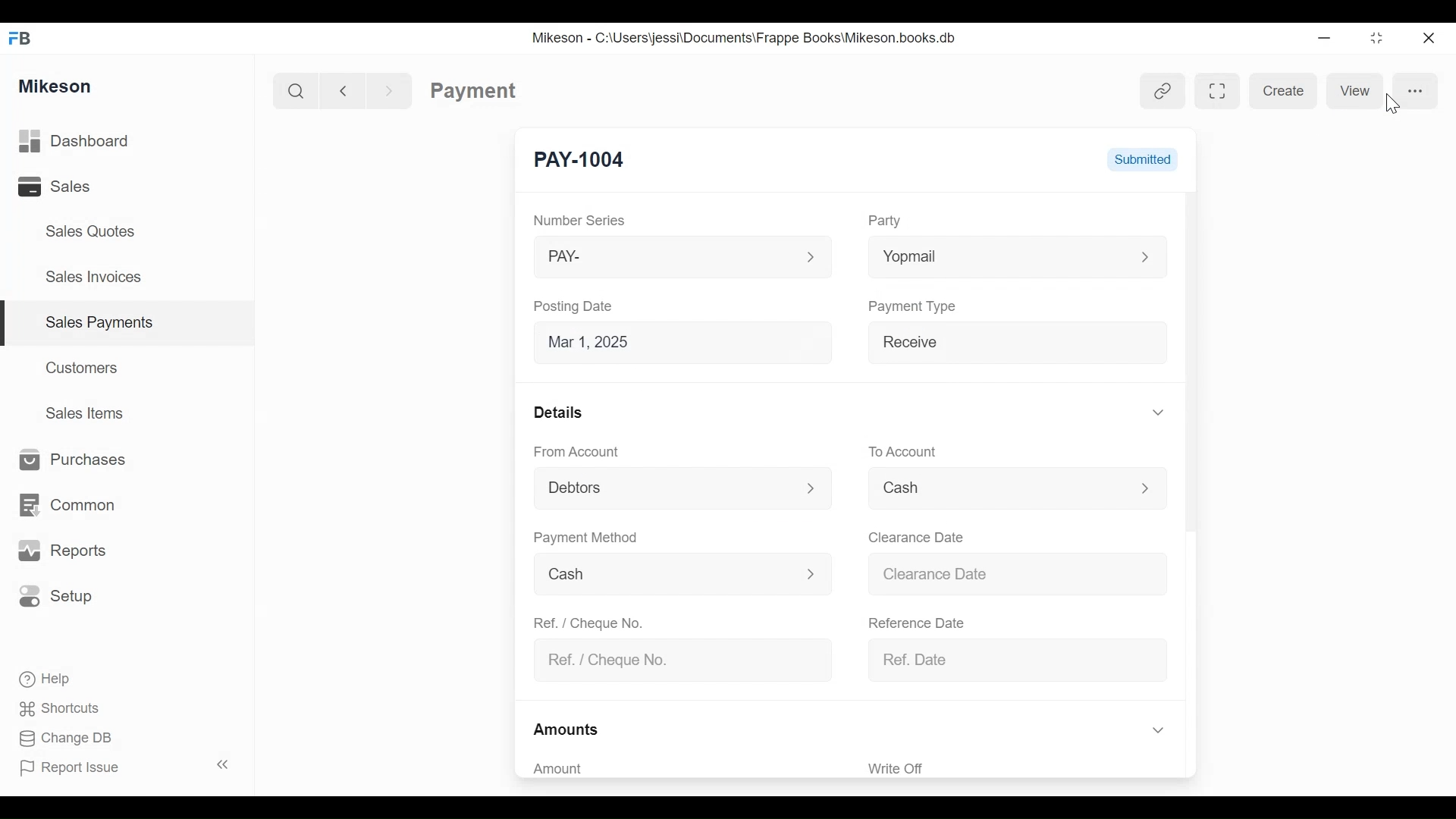  What do you see at coordinates (65, 551) in the screenshot?
I see `Reports` at bounding box center [65, 551].